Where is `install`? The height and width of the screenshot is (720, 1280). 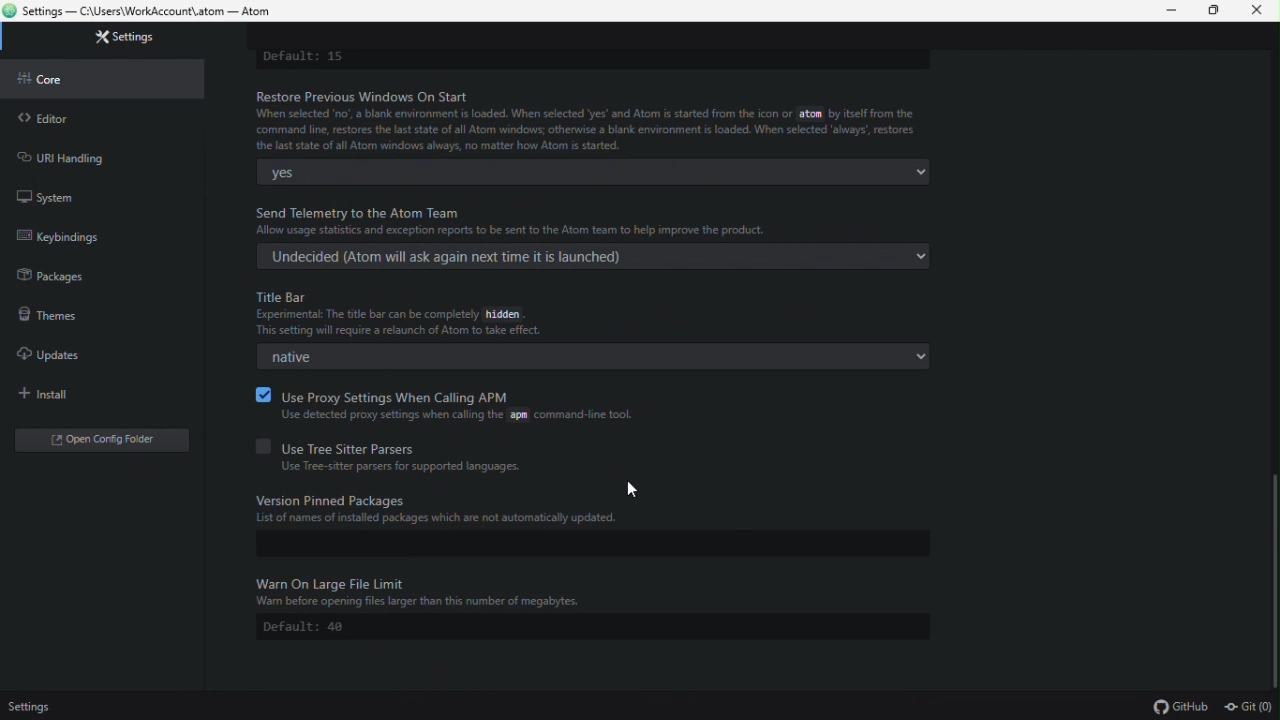
install is located at coordinates (51, 394).